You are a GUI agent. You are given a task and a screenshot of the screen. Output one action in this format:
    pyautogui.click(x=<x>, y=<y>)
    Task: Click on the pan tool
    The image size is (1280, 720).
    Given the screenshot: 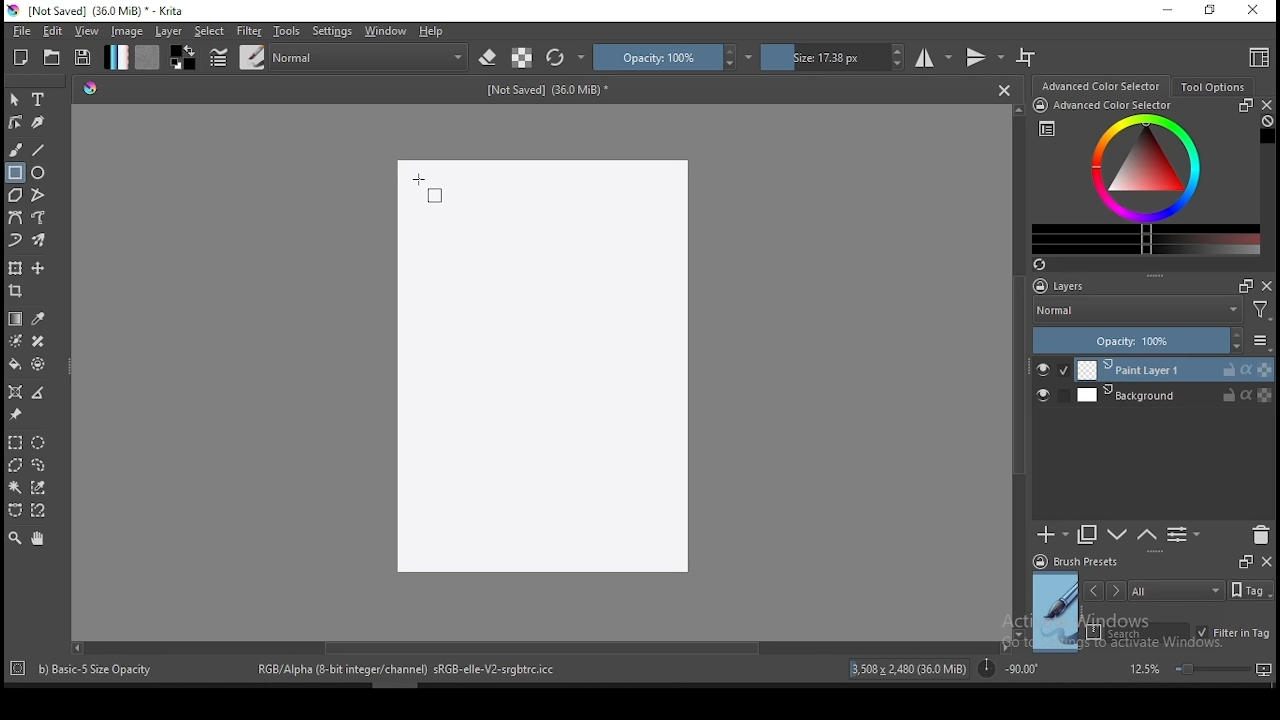 What is the action you would take?
    pyautogui.click(x=36, y=539)
    